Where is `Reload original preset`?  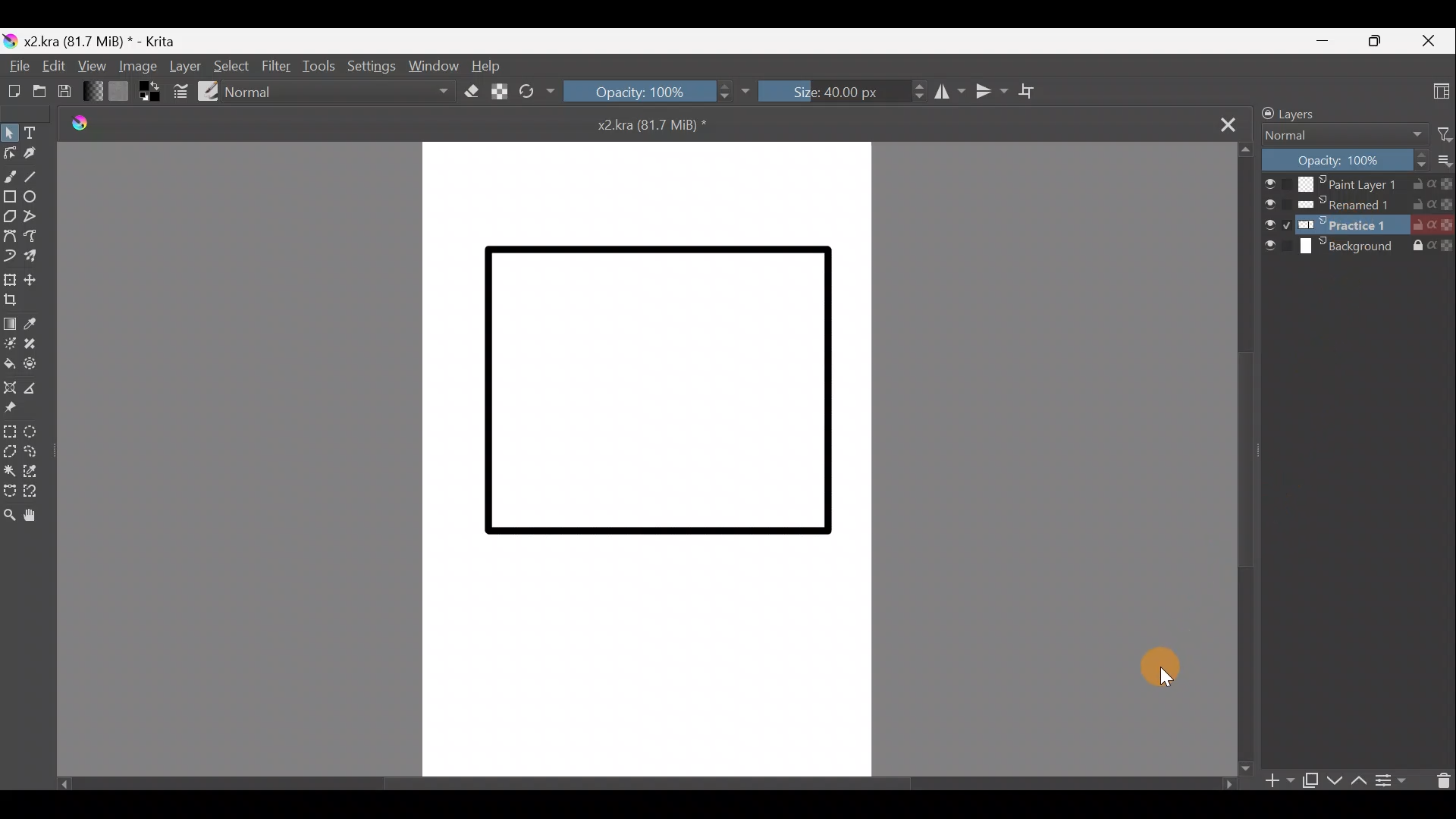 Reload original preset is located at coordinates (533, 93).